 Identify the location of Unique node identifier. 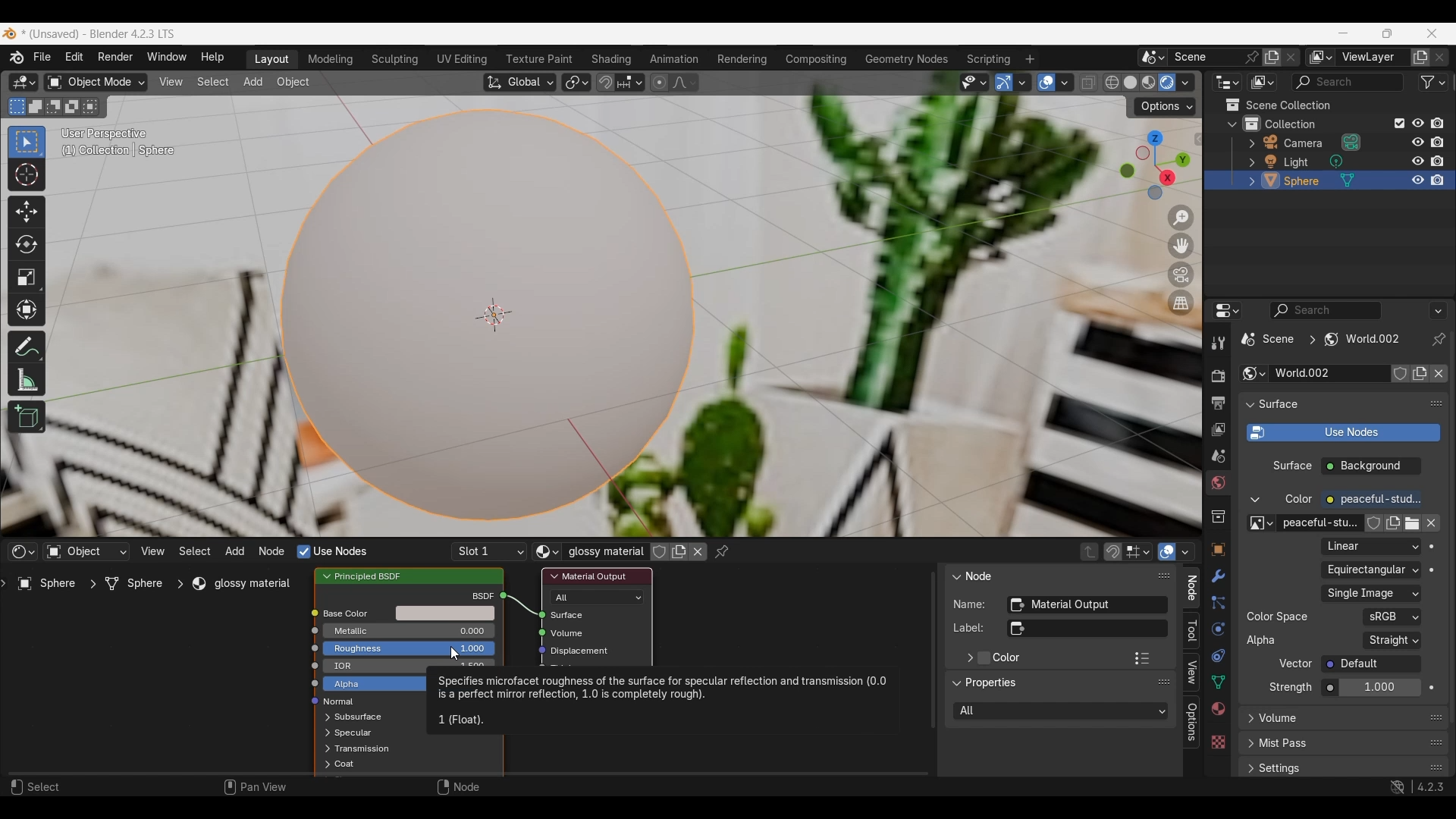
(1087, 605).